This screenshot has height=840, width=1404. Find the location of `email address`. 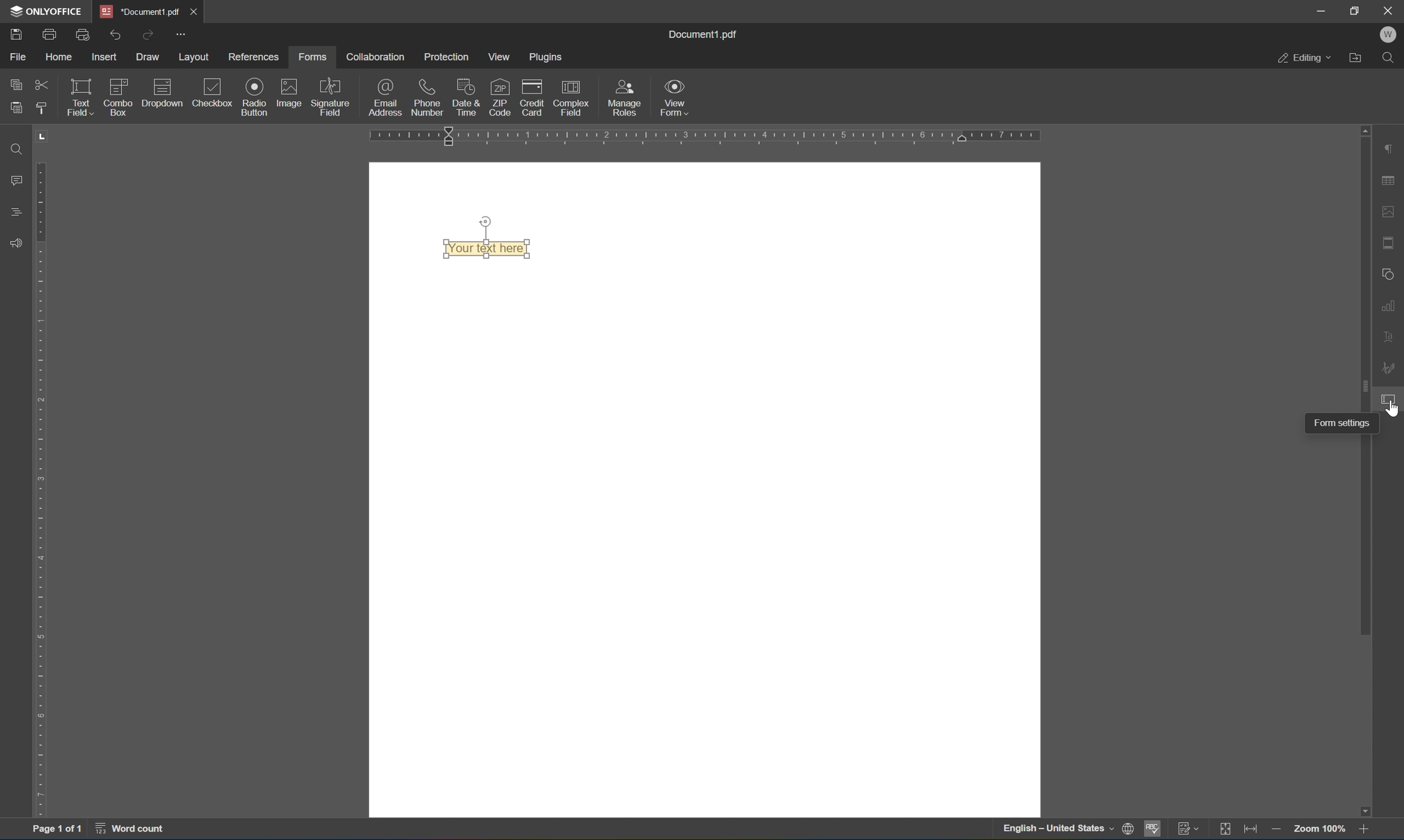

email address is located at coordinates (386, 97).